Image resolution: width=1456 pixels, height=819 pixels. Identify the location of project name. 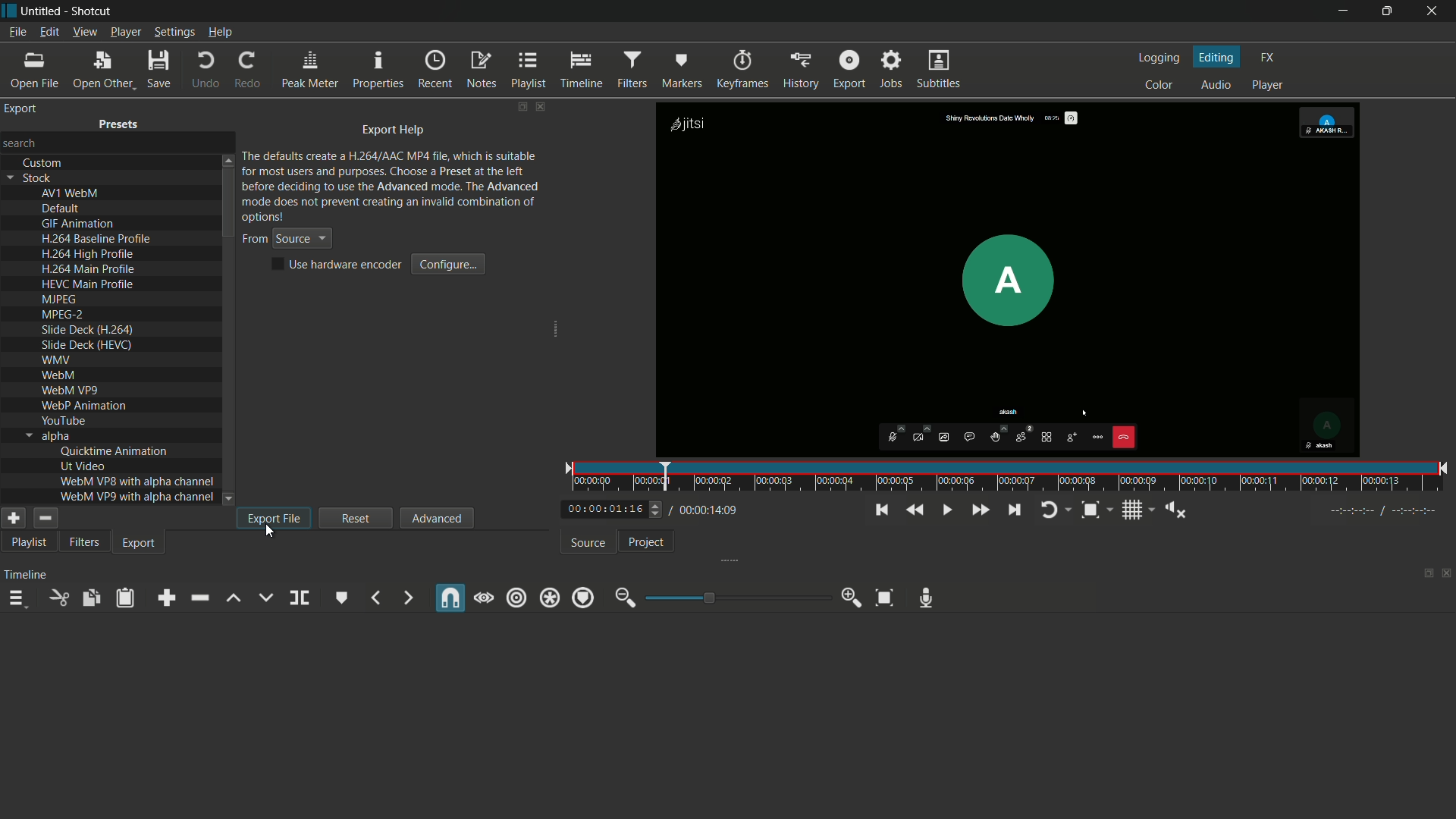
(42, 11).